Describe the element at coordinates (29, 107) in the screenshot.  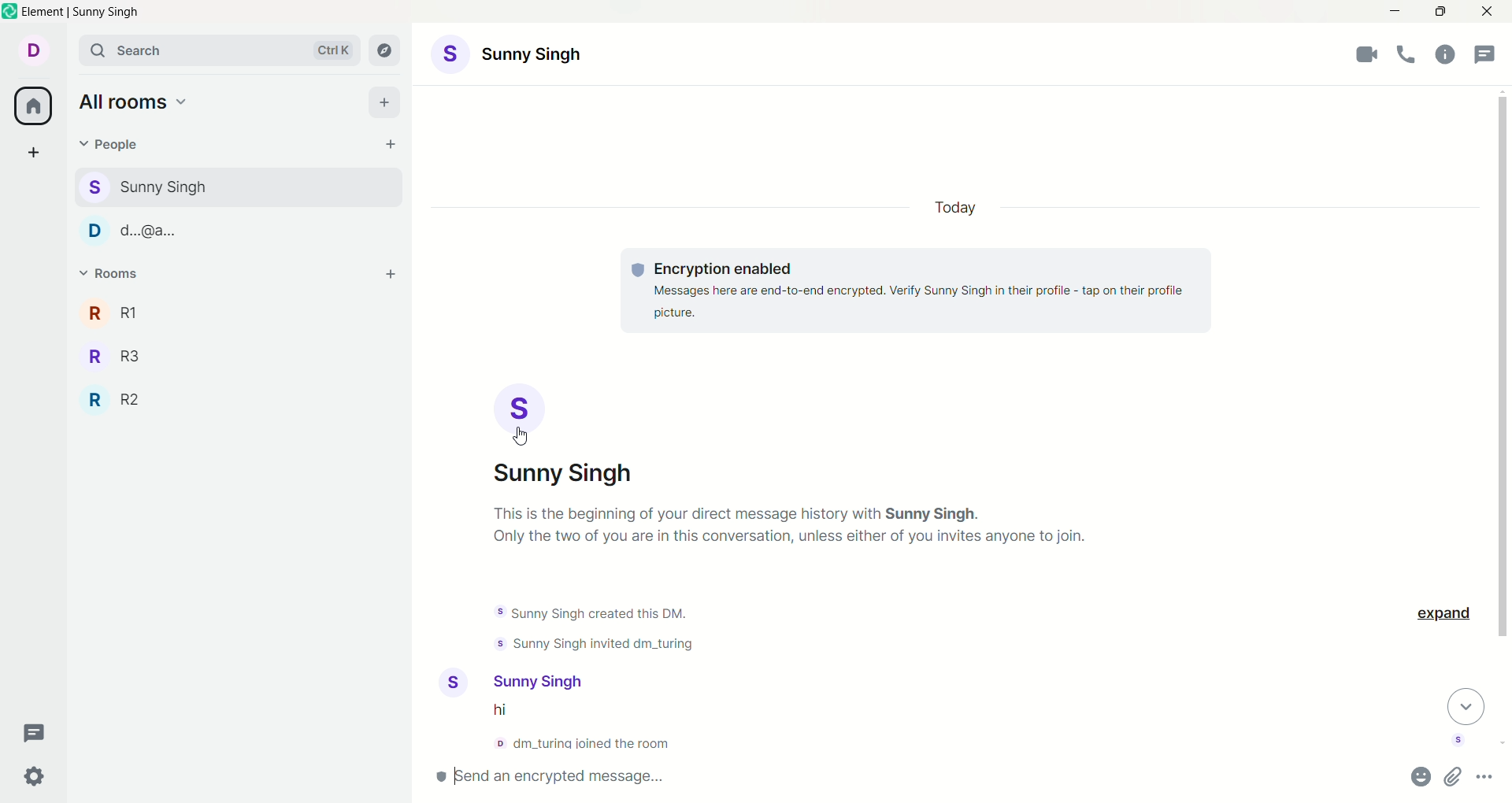
I see `all rooms` at that location.